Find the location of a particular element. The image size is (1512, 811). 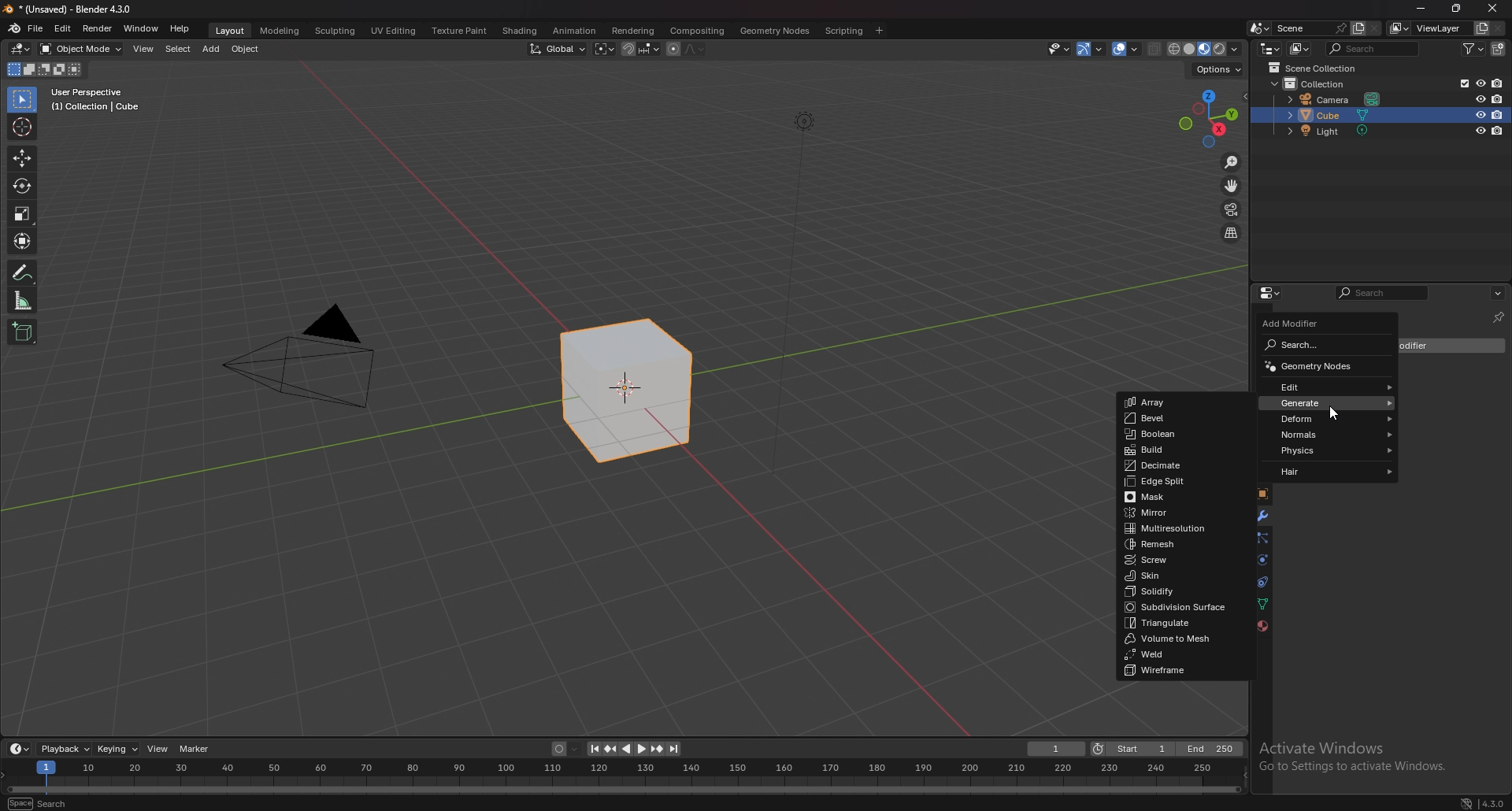

camera is located at coordinates (1336, 99).